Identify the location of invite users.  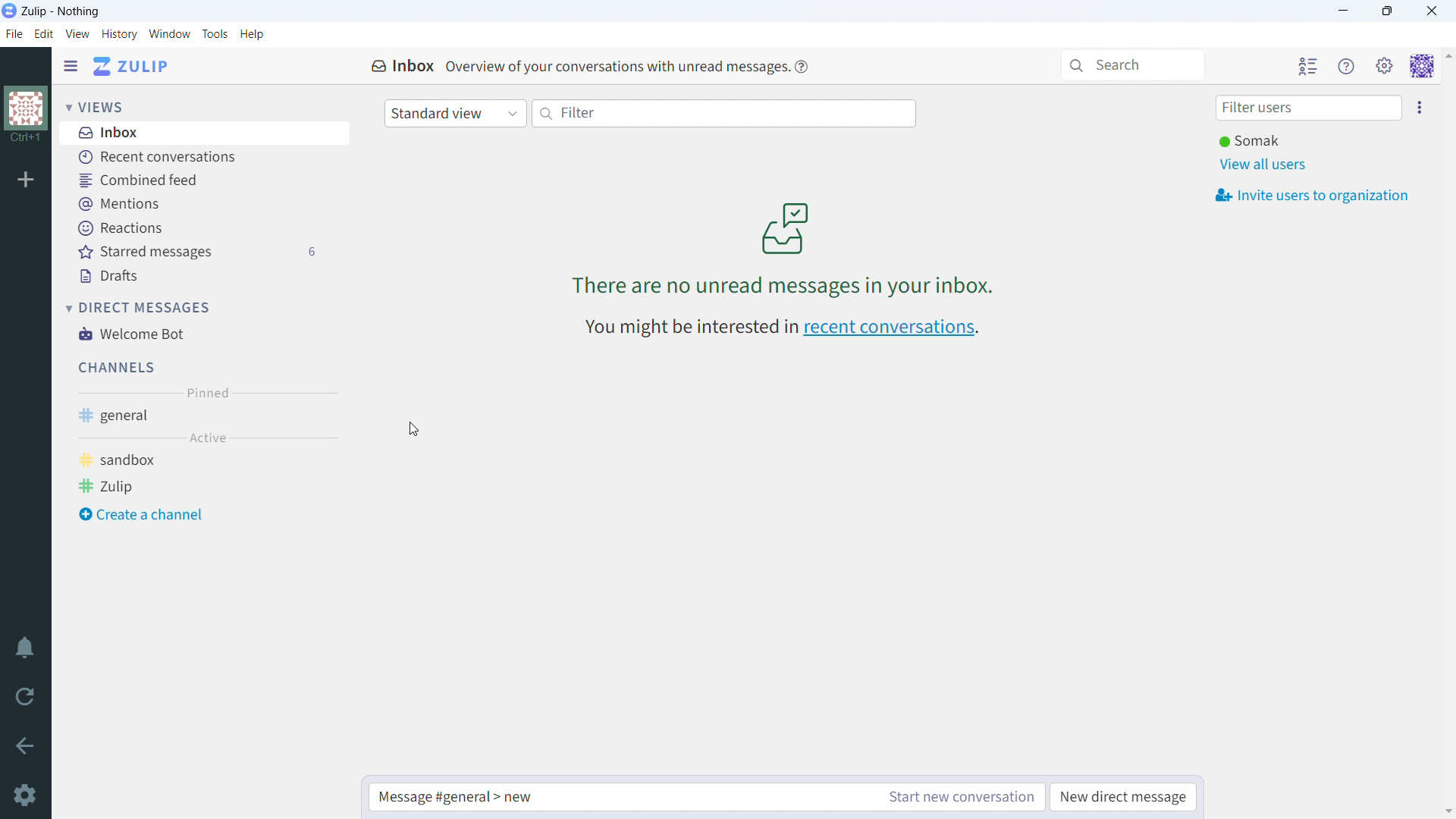
(1312, 195).